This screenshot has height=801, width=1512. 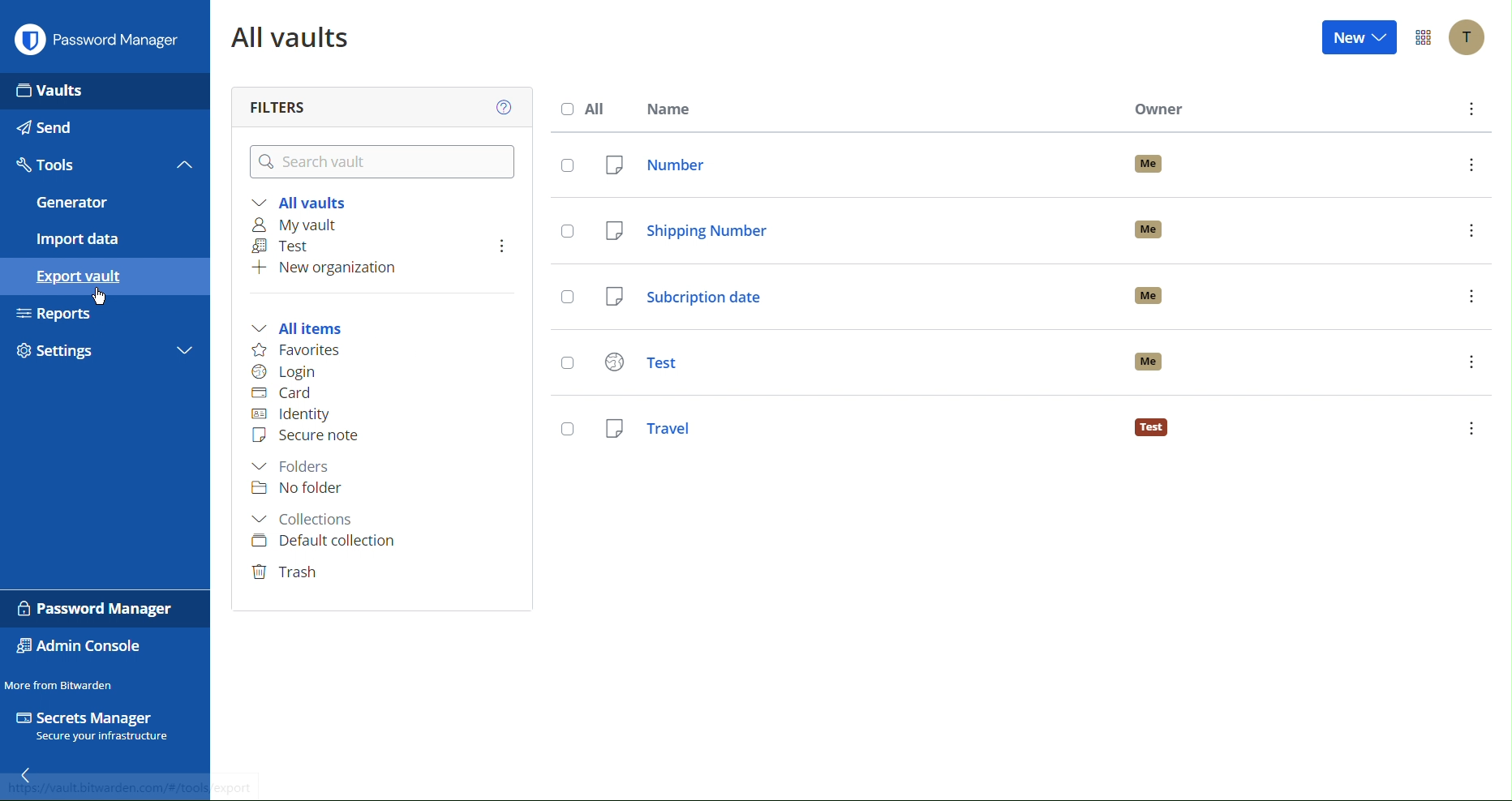 What do you see at coordinates (887, 360) in the screenshot?
I see `Test` at bounding box center [887, 360].